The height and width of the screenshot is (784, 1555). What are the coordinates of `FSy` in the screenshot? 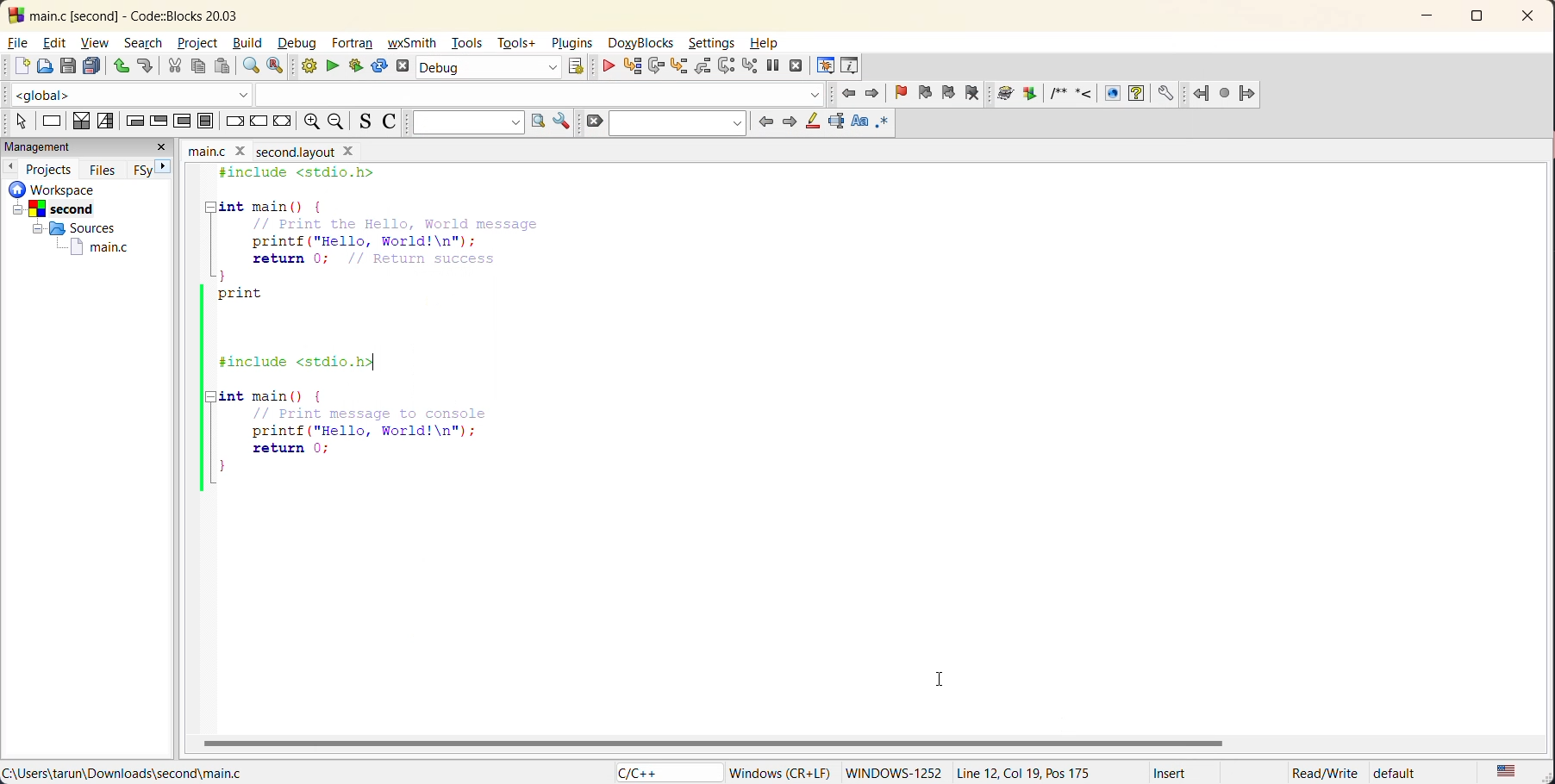 It's located at (142, 169).